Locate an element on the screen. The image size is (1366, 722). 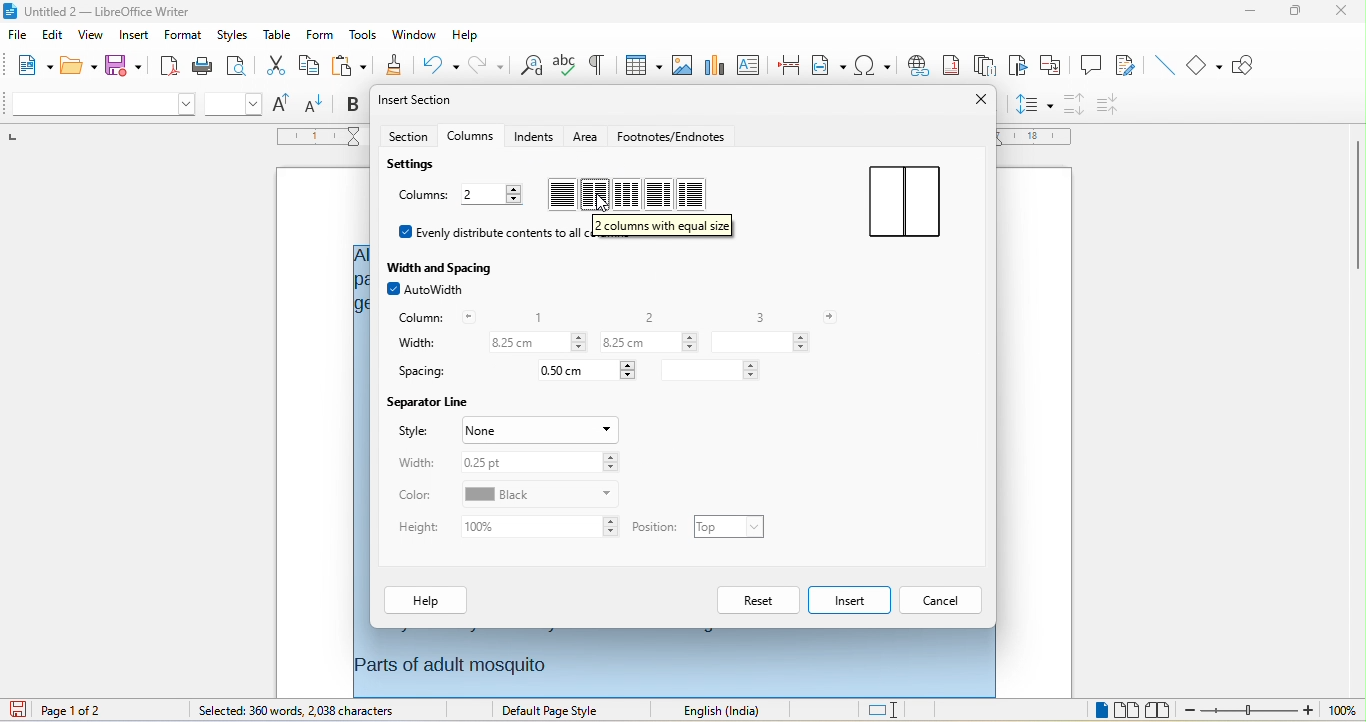
decrease paragraph spacing is located at coordinates (1110, 103).